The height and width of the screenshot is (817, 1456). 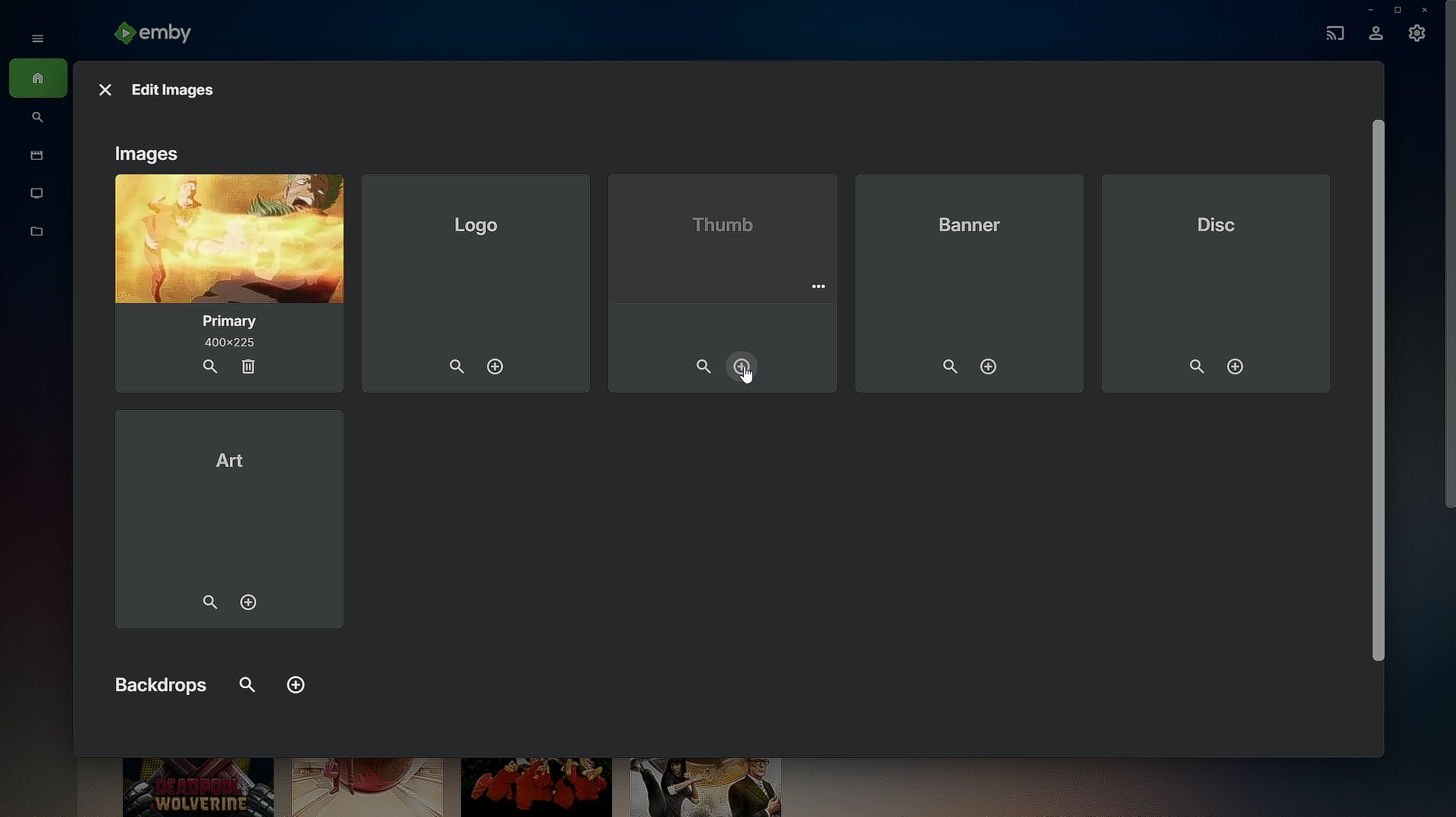 I want to click on Art, so click(x=229, y=522).